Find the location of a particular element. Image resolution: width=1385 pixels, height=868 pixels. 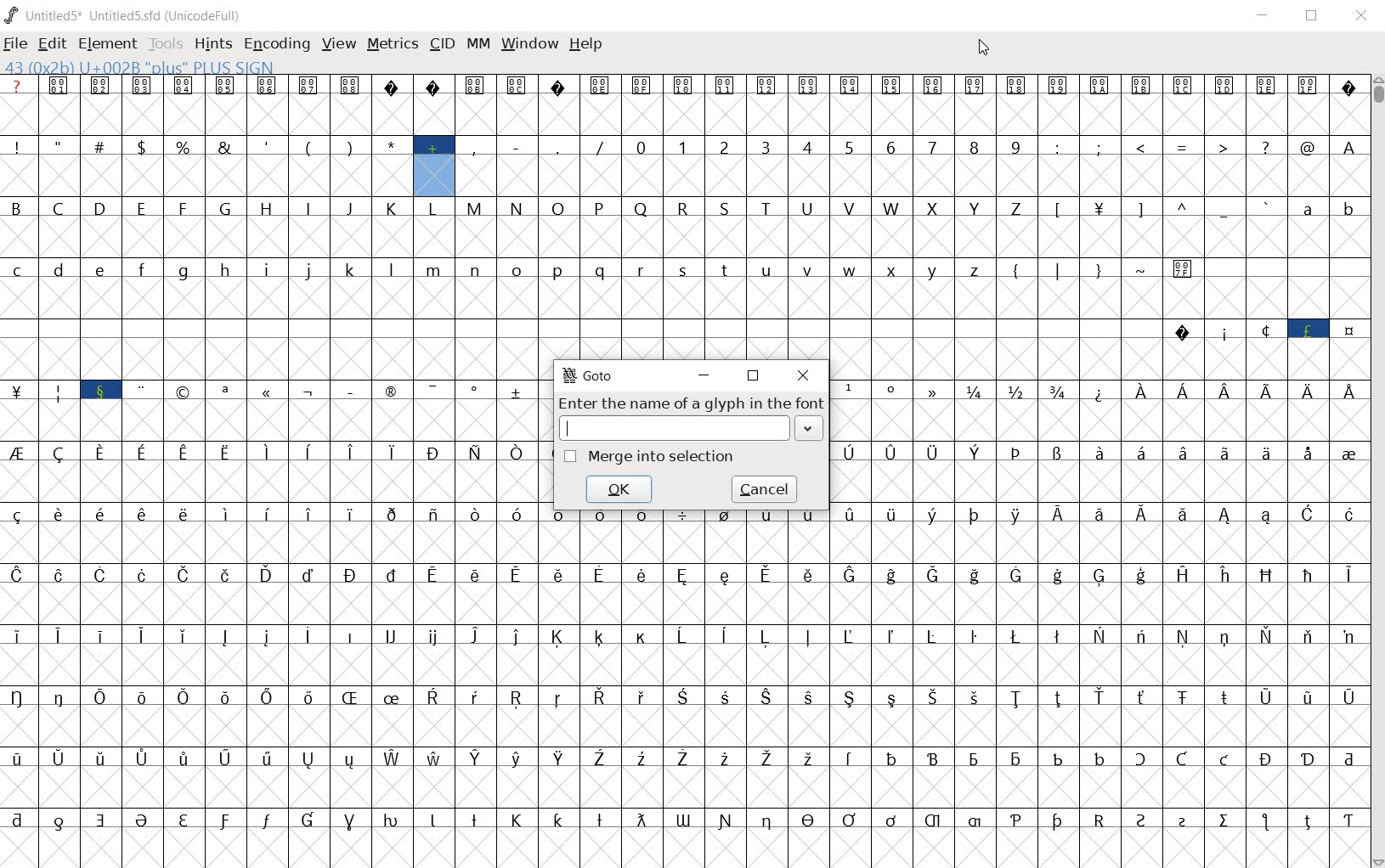

encoding is located at coordinates (274, 43).